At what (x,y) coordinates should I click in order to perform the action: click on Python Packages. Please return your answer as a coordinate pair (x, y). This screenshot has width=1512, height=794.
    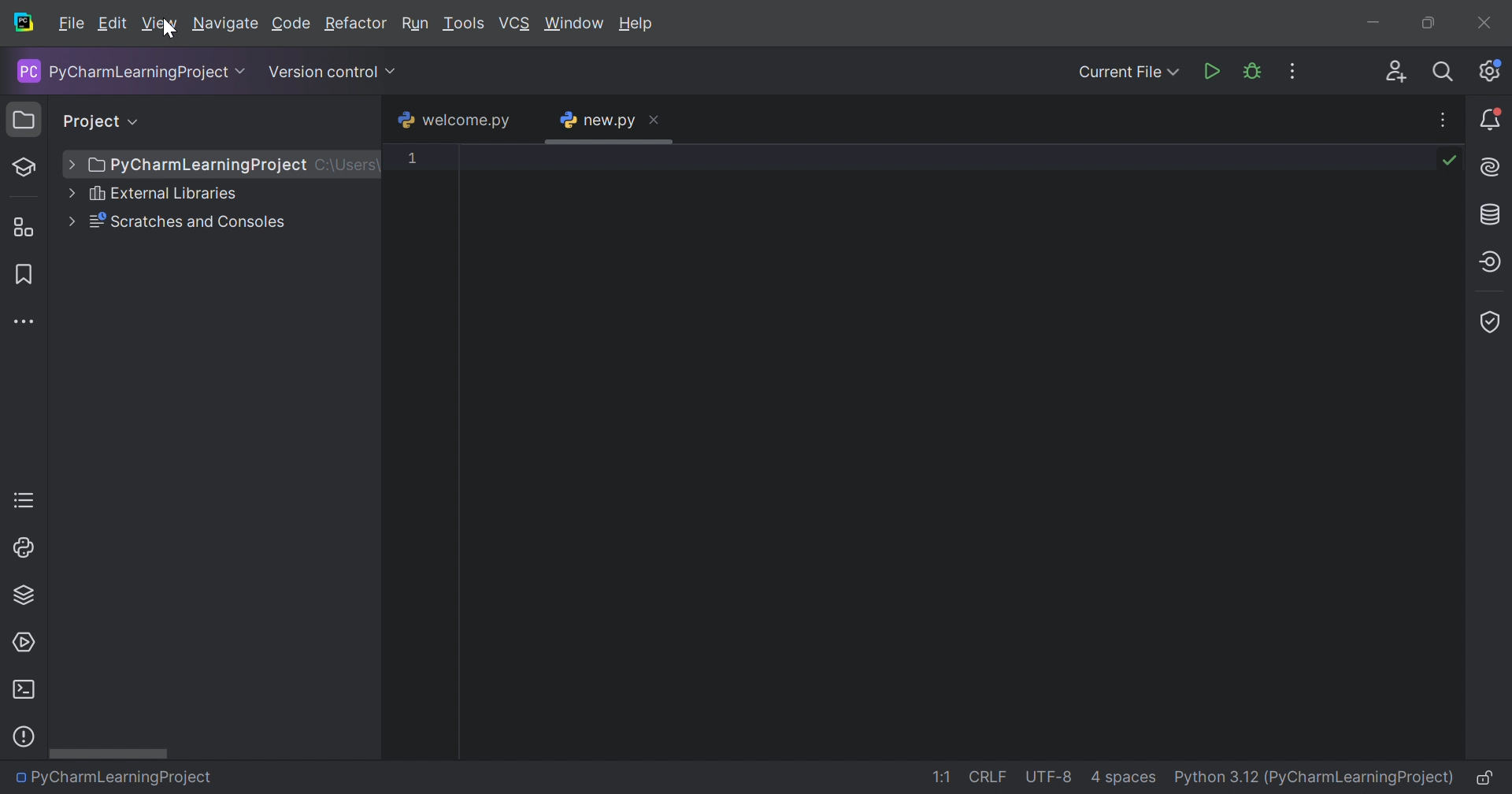
    Looking at the image, I should click on (27, 595).